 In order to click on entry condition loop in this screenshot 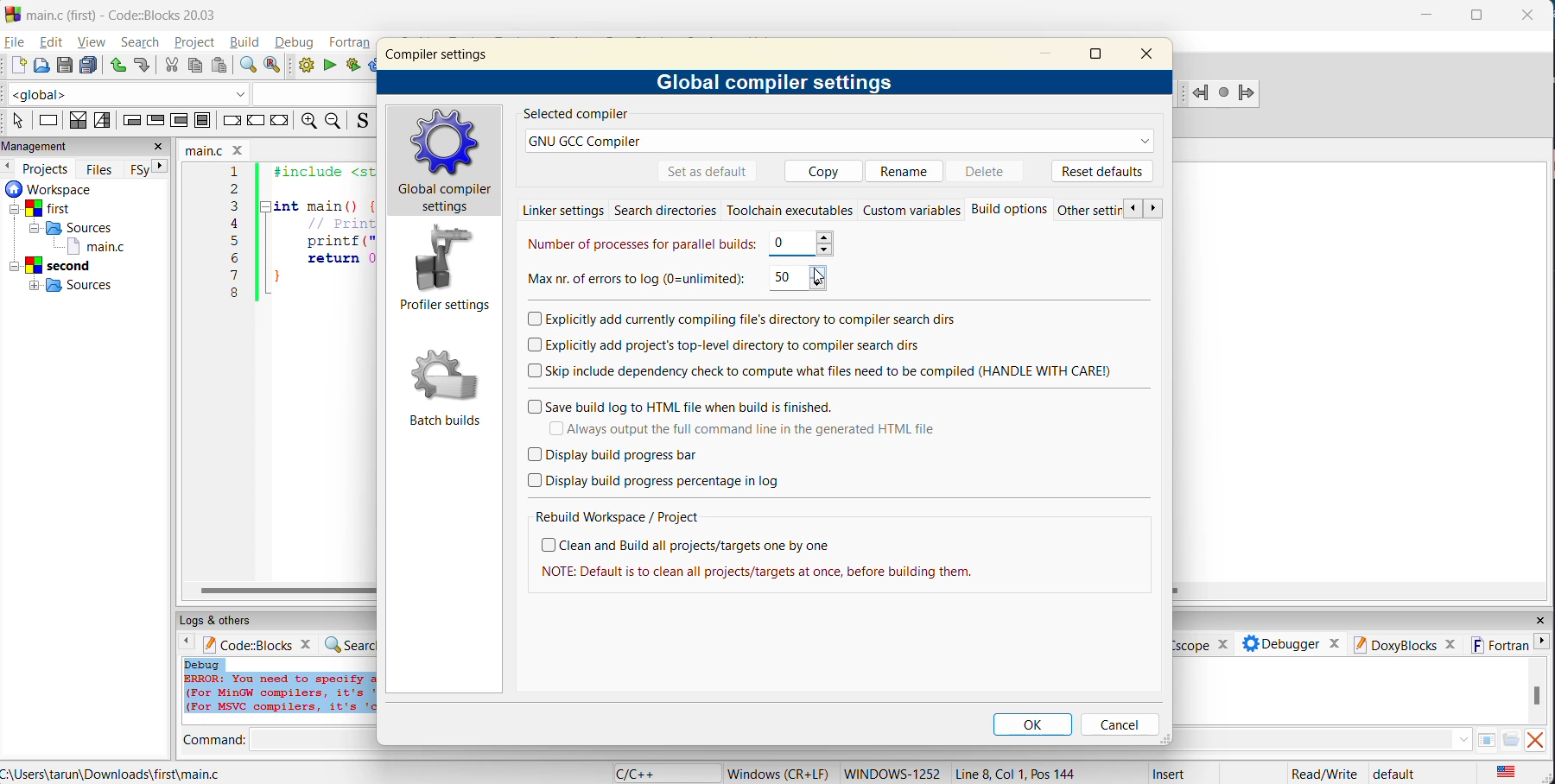, I will do `click(129, 122)`.